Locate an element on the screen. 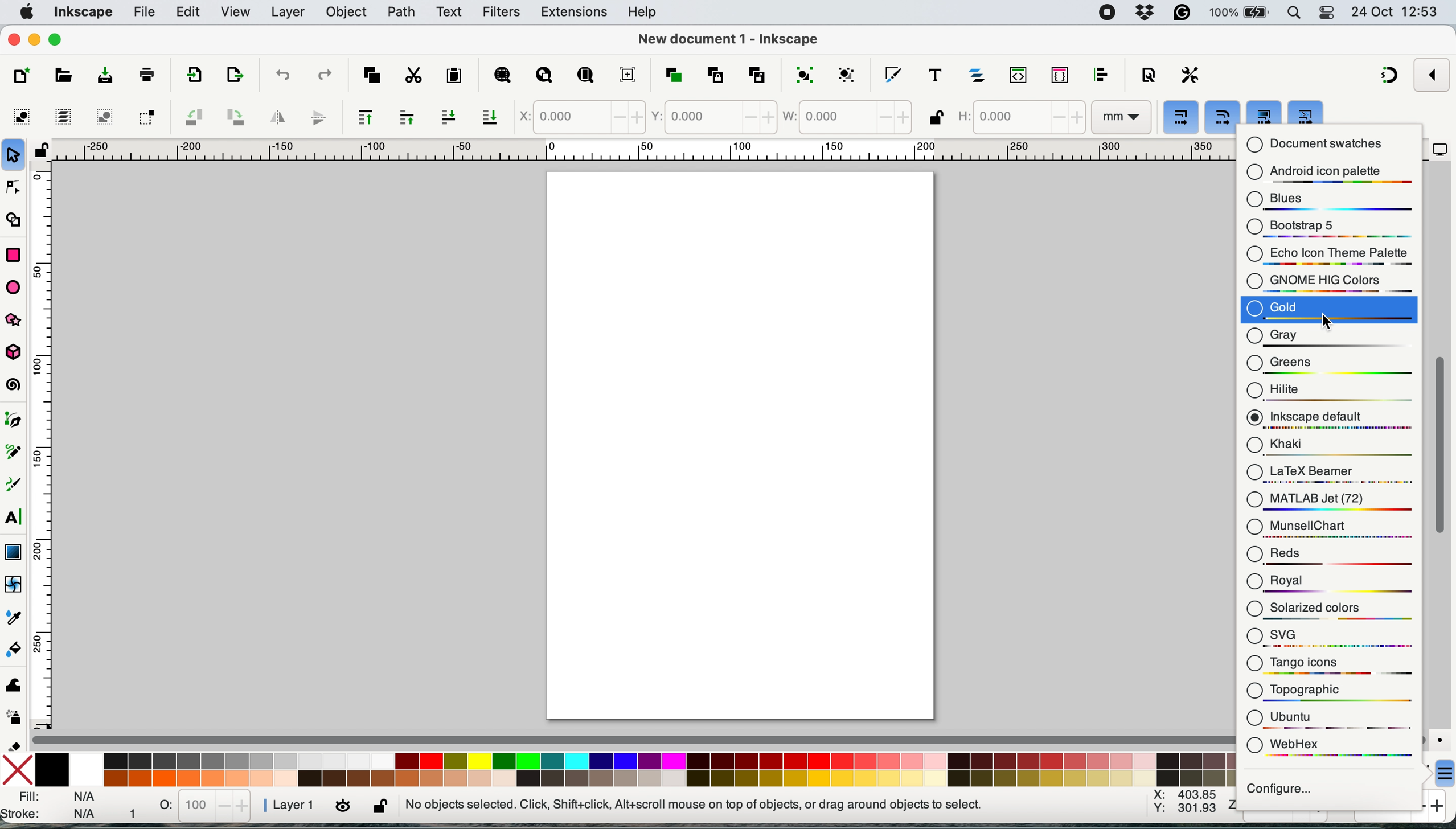 This screenshot has width=1456, height=829. layer is located at coordinates (287, 14).